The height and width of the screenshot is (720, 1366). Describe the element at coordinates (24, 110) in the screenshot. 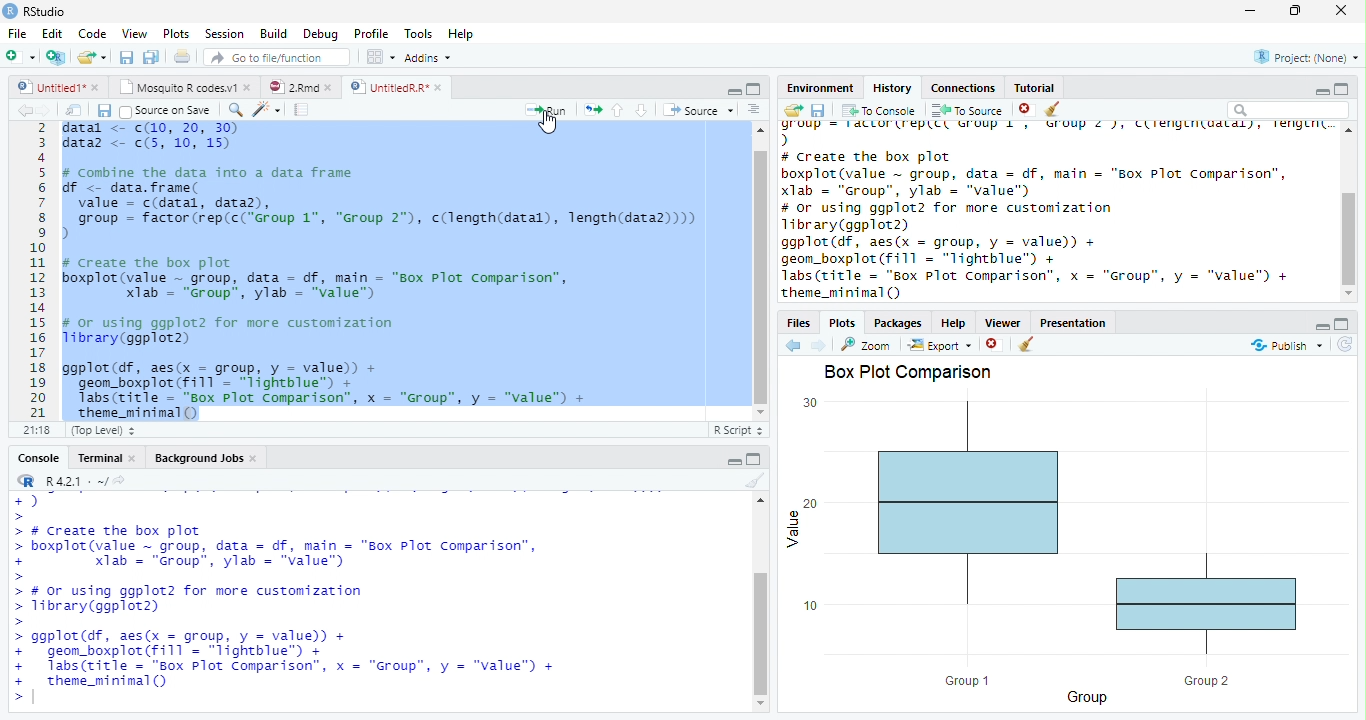

I see `Go back to previous source location` at that location.